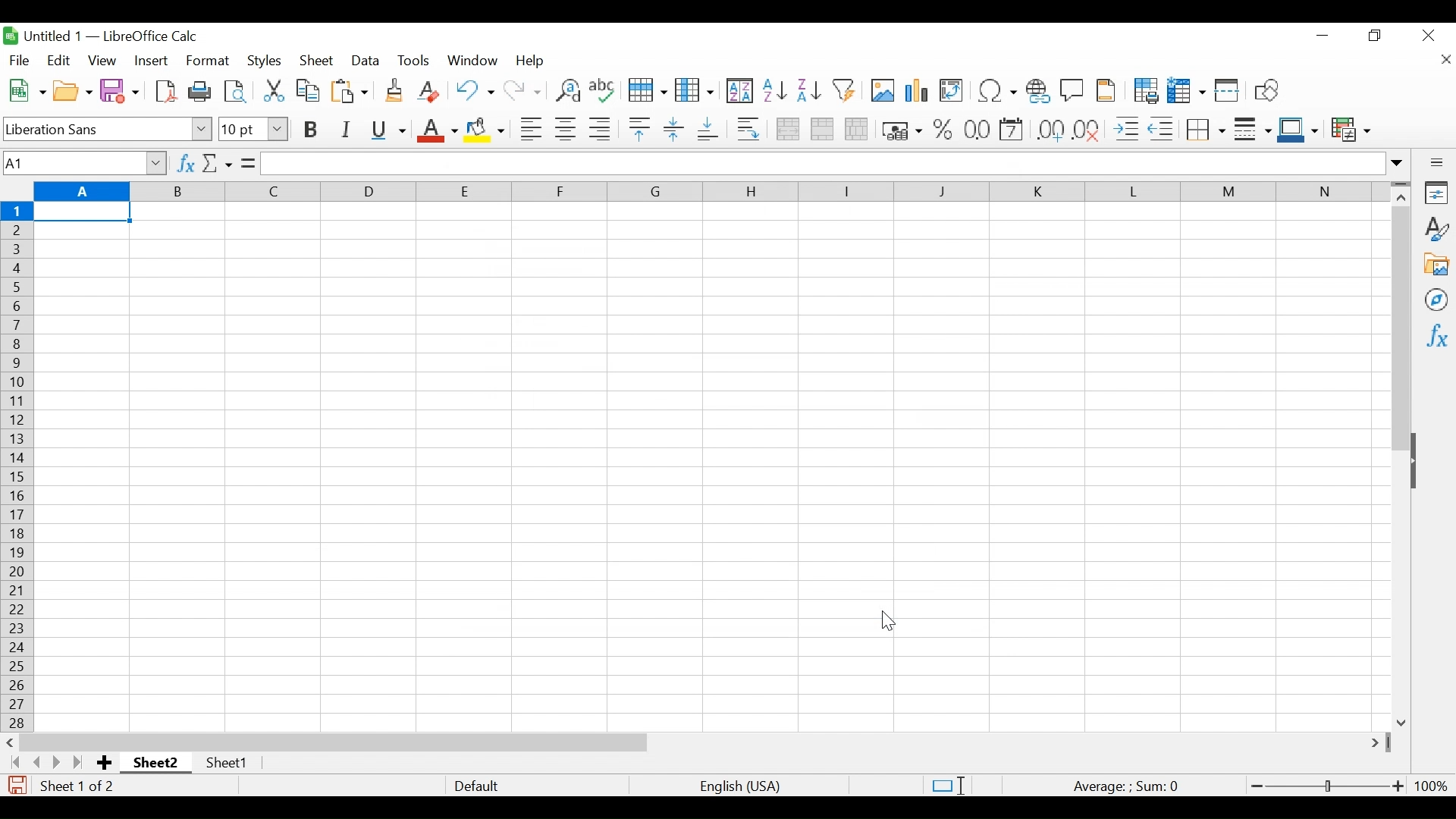  What do you see at coordinates (916, 91) in the screenshot?
I see `Insert Chart` at bounding box center [916, 91].